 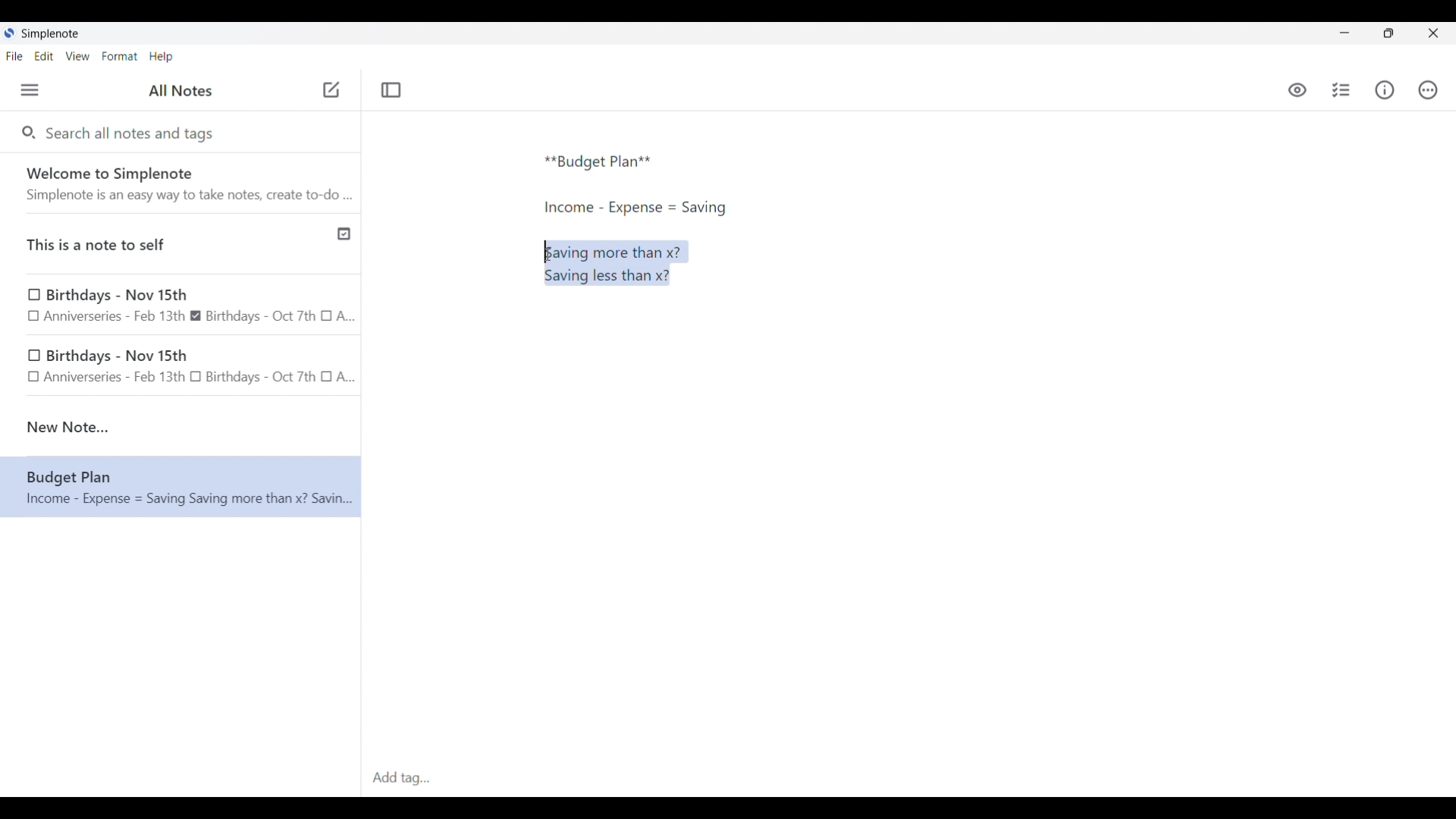 I want to click on Search all notes and tags, so click(x=133, y=132).